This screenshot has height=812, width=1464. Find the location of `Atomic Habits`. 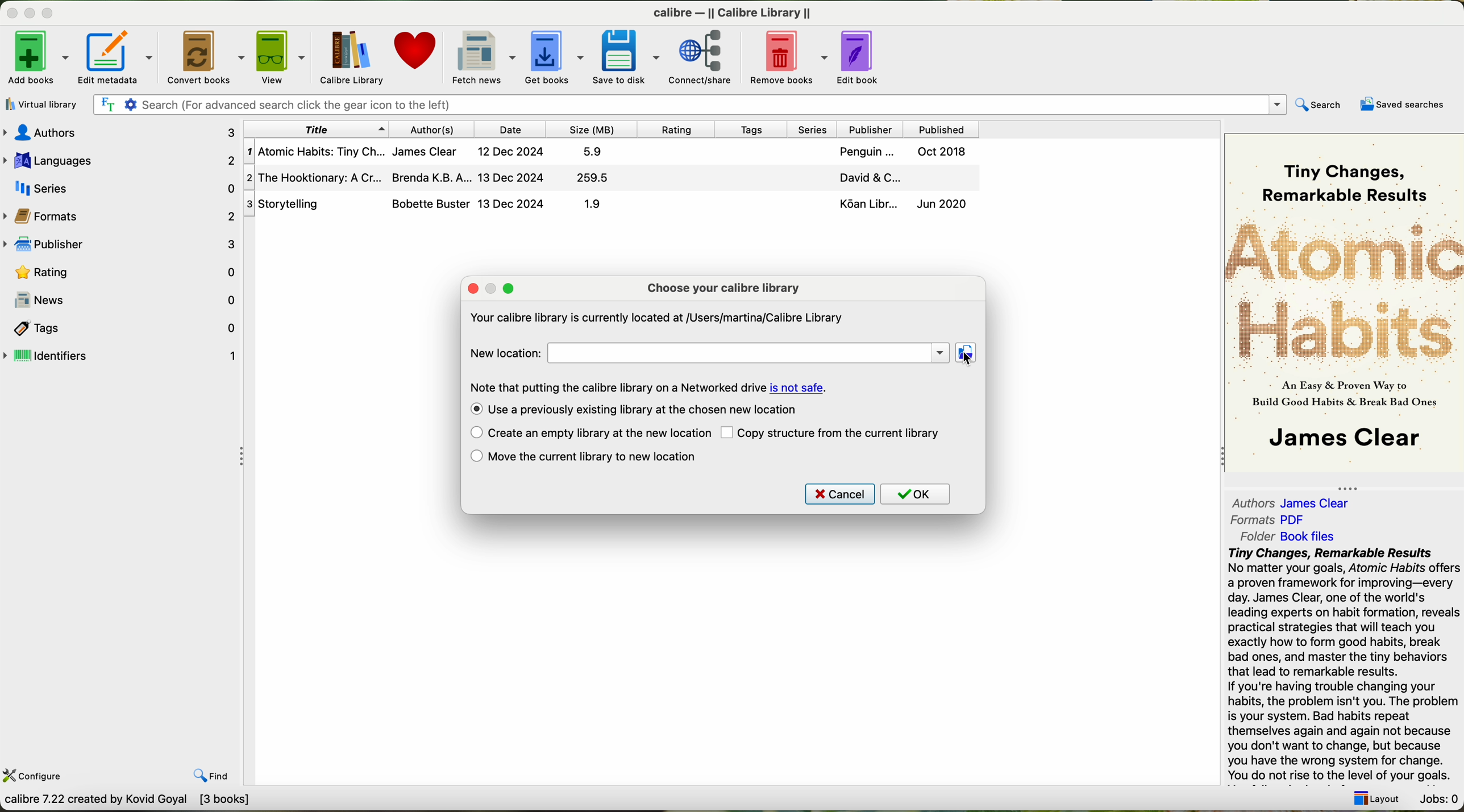

Atomic Habits is located at coordinates (1344, 291).